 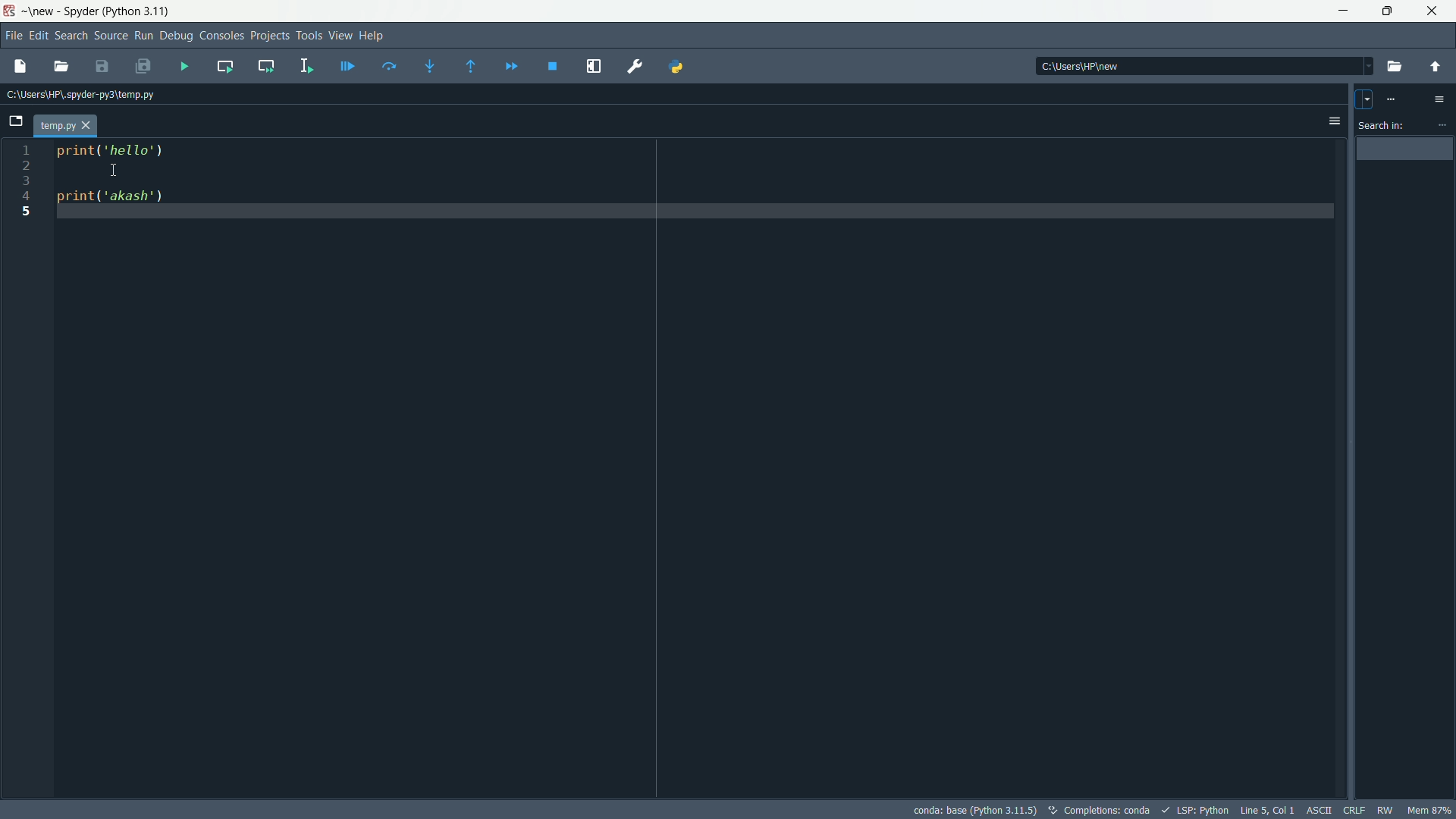 What do you see at coordinates (697, 467) in the screenshot?
I see `print("hello') print('akash')` at bounding box center [697, 467].